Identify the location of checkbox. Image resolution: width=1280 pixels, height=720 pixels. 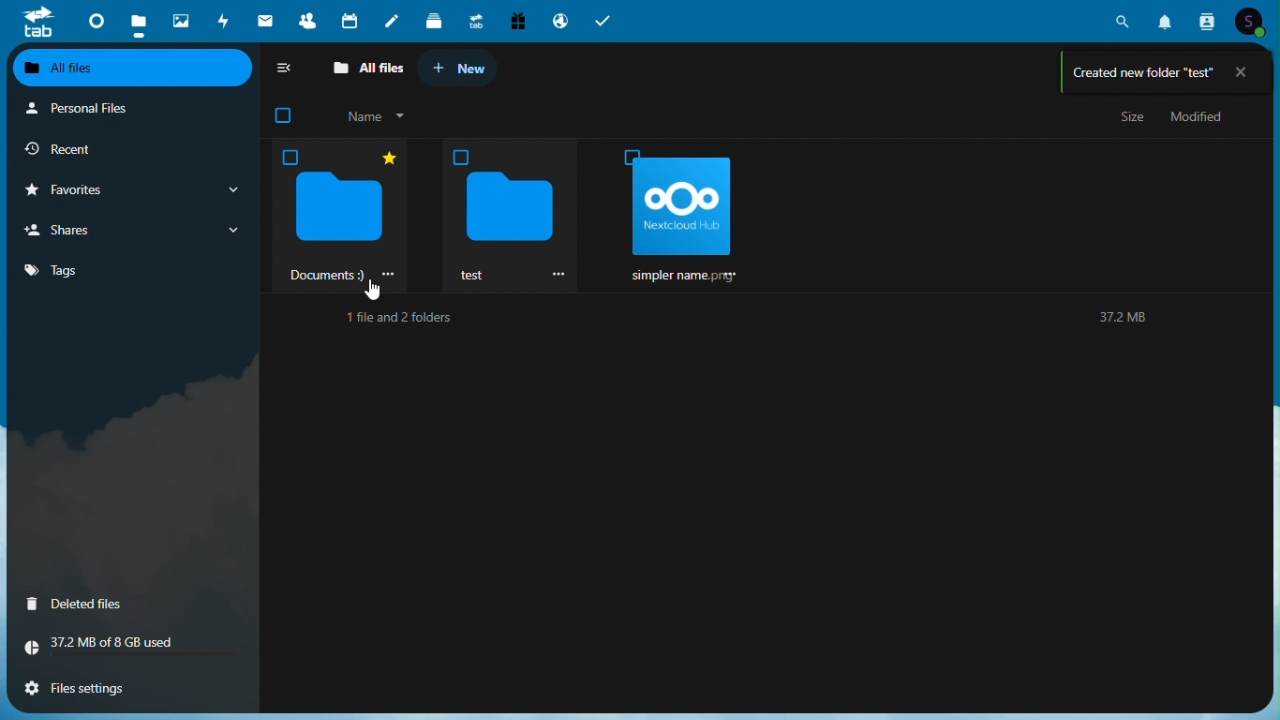
(286, 116).